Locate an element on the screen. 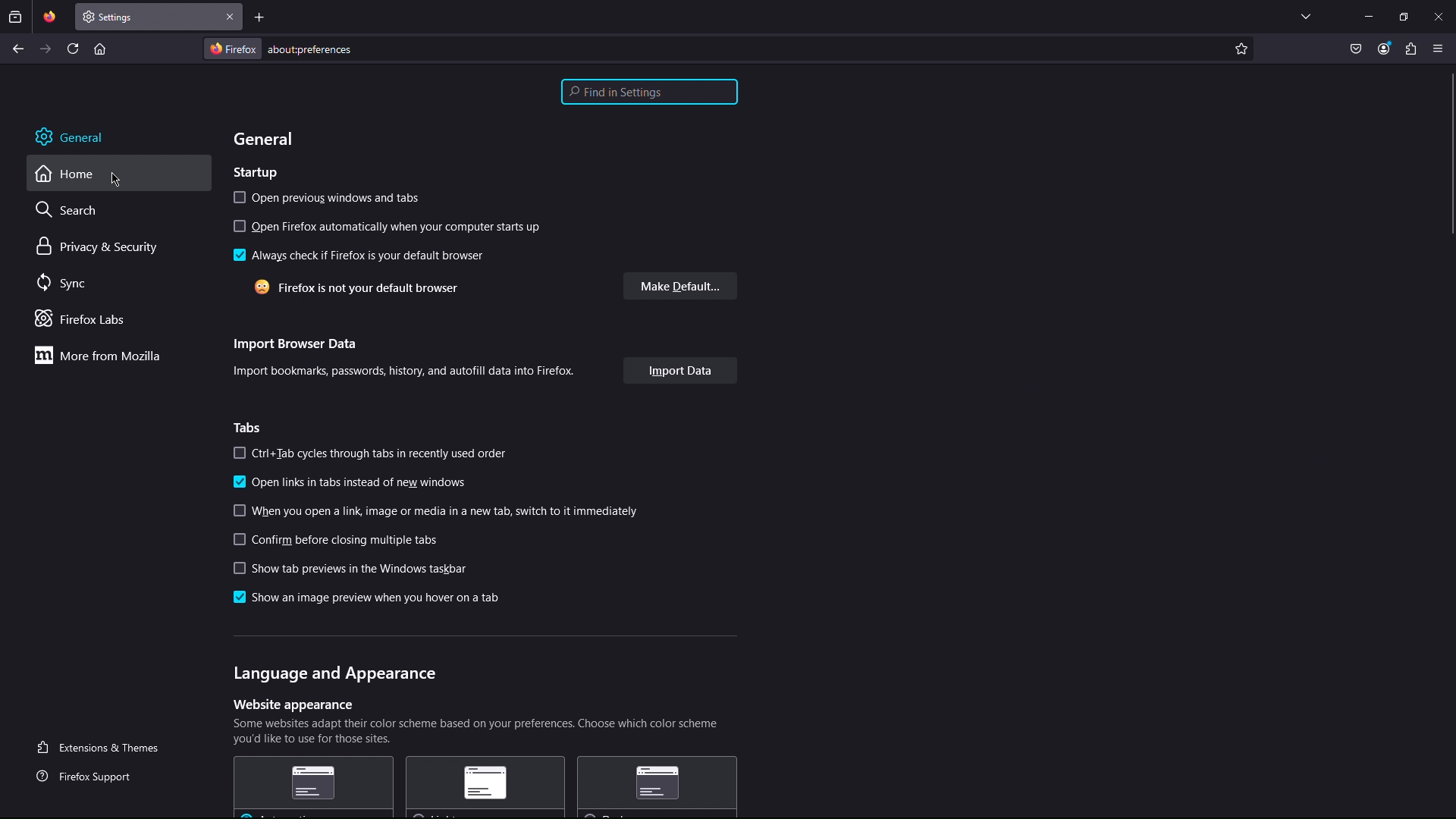 Image resolution: width=1456 pixels, height=819 pixels. Show tab previews in the Windows taskbar is located at coordinates (350, 568).